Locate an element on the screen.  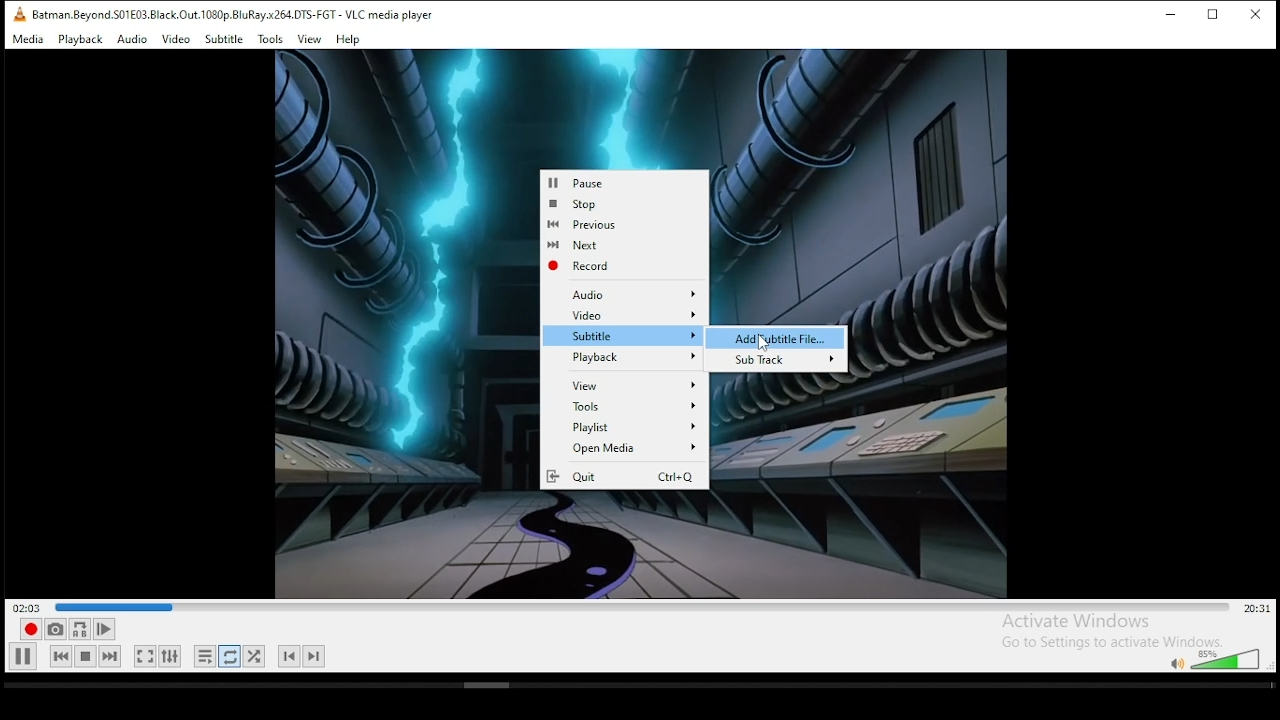
Tools options is located at coordinates (625, 406).